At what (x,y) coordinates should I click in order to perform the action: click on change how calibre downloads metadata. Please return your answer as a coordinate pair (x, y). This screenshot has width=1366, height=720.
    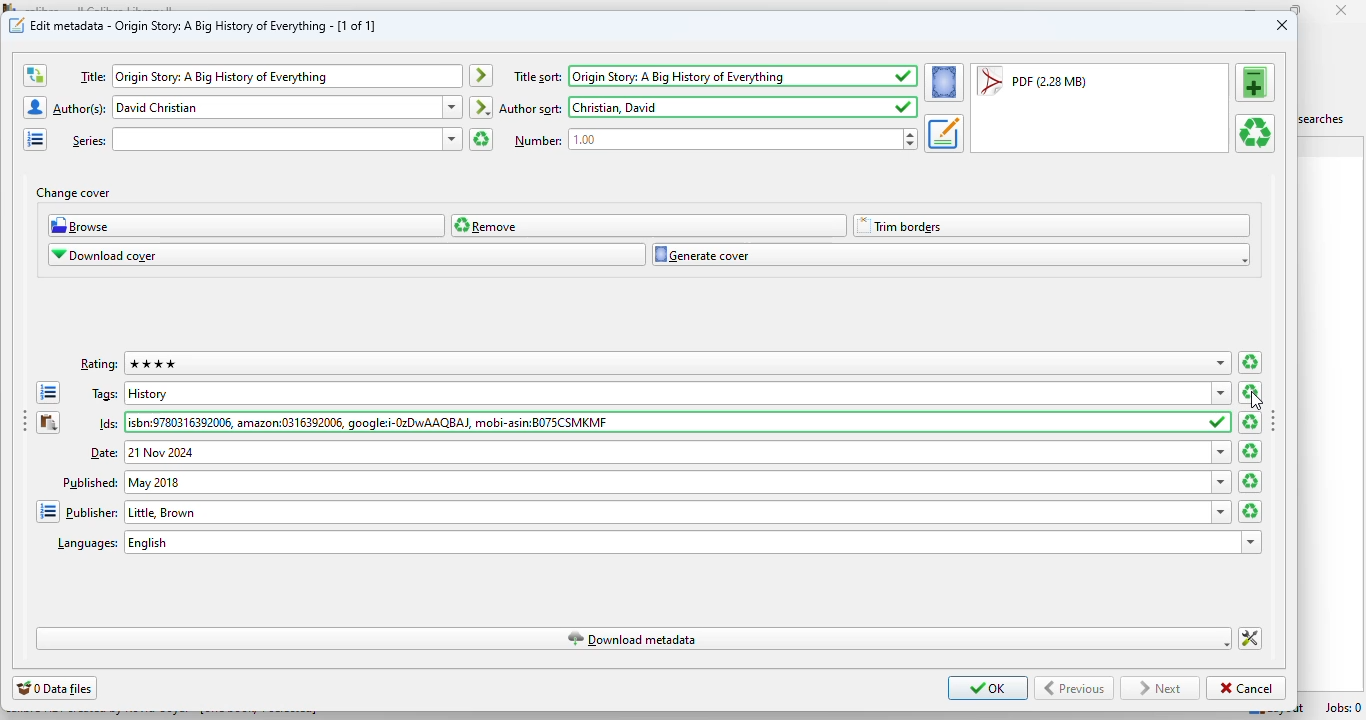
    Looking at the image, I should click on (1250, 639).